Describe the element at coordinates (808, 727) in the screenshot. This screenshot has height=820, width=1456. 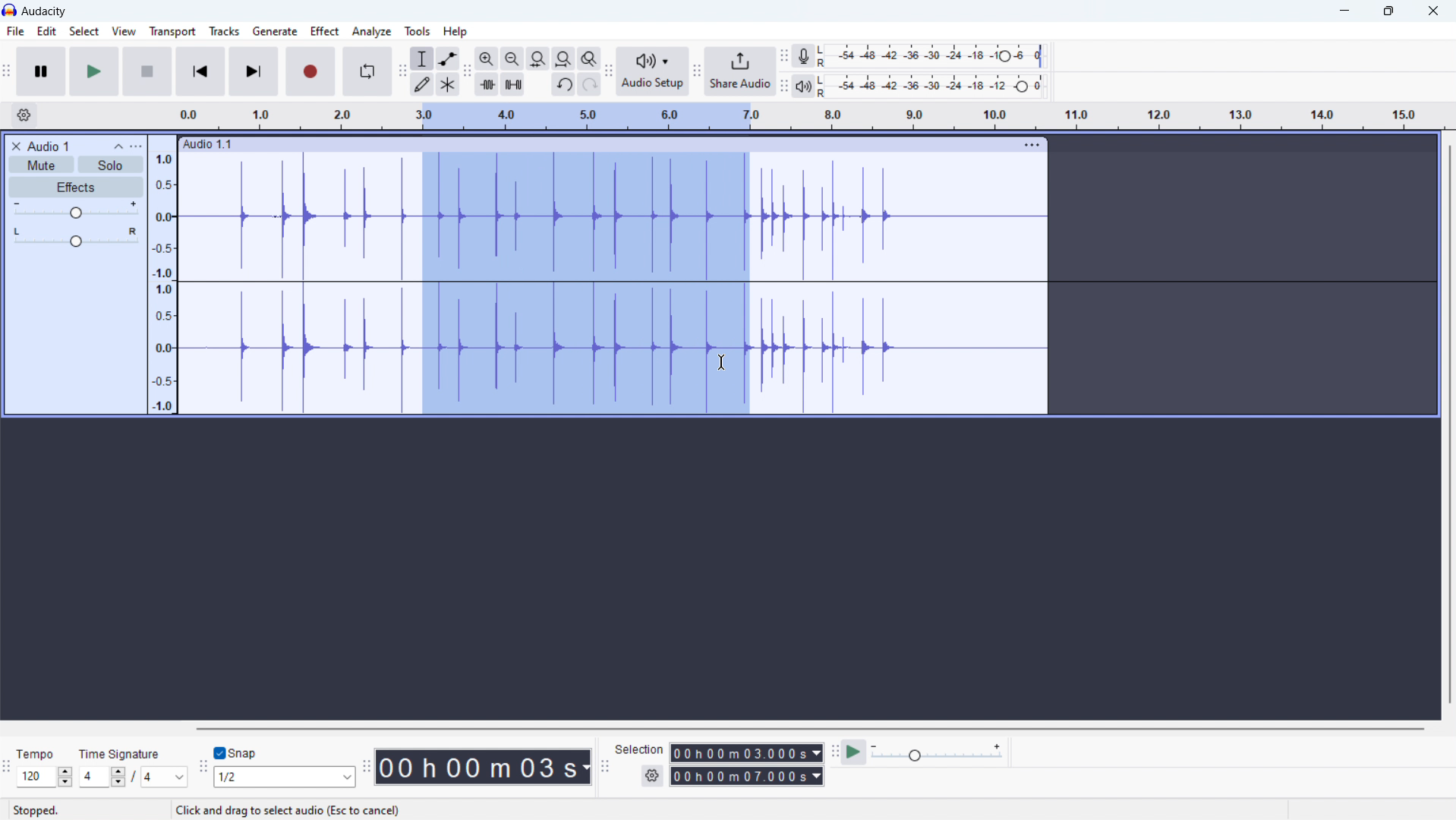
I see `horozontal scrollbar` at that location.